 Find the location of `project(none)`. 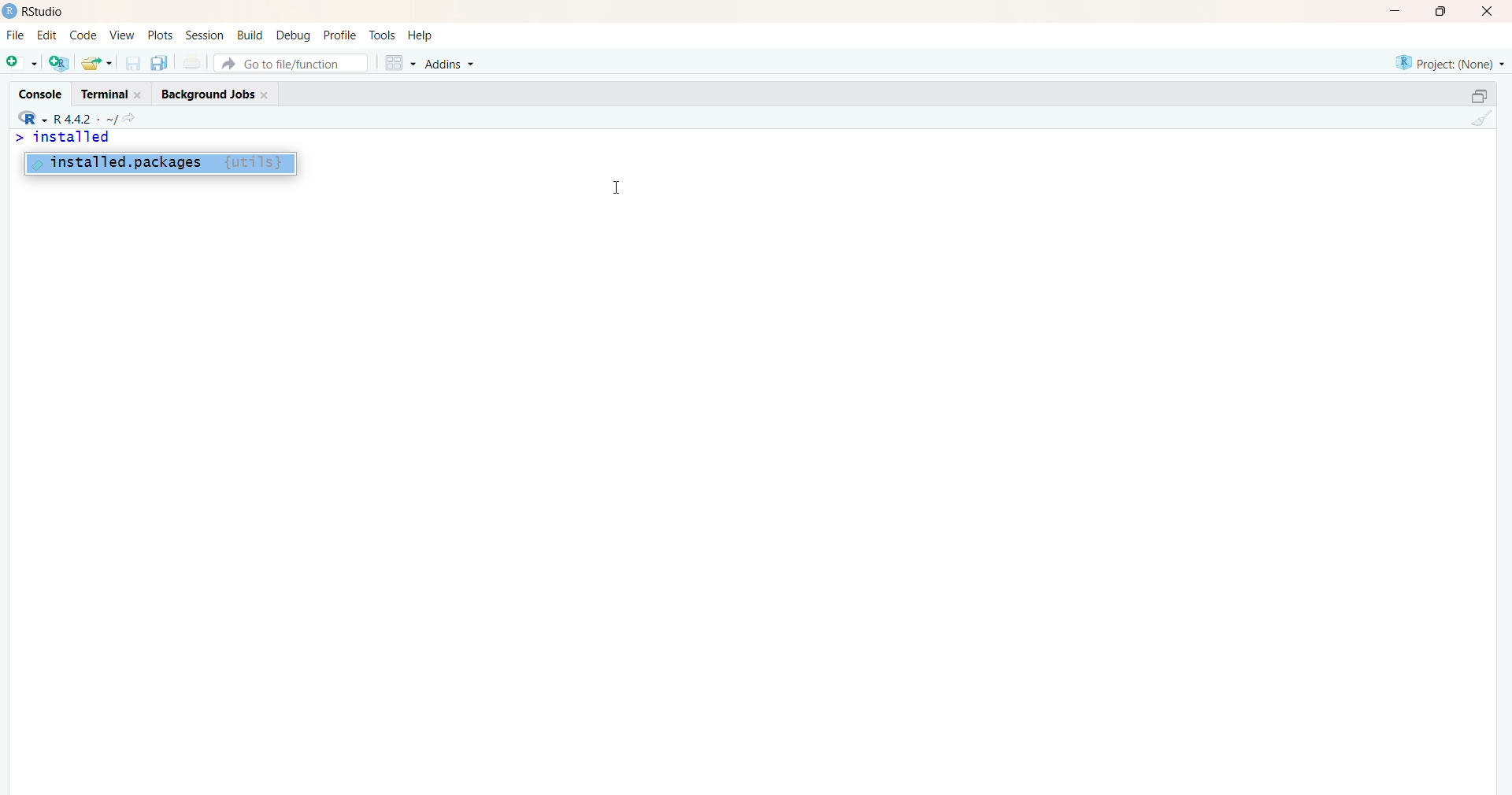

project(none) is located at coordinates (1447, 61).